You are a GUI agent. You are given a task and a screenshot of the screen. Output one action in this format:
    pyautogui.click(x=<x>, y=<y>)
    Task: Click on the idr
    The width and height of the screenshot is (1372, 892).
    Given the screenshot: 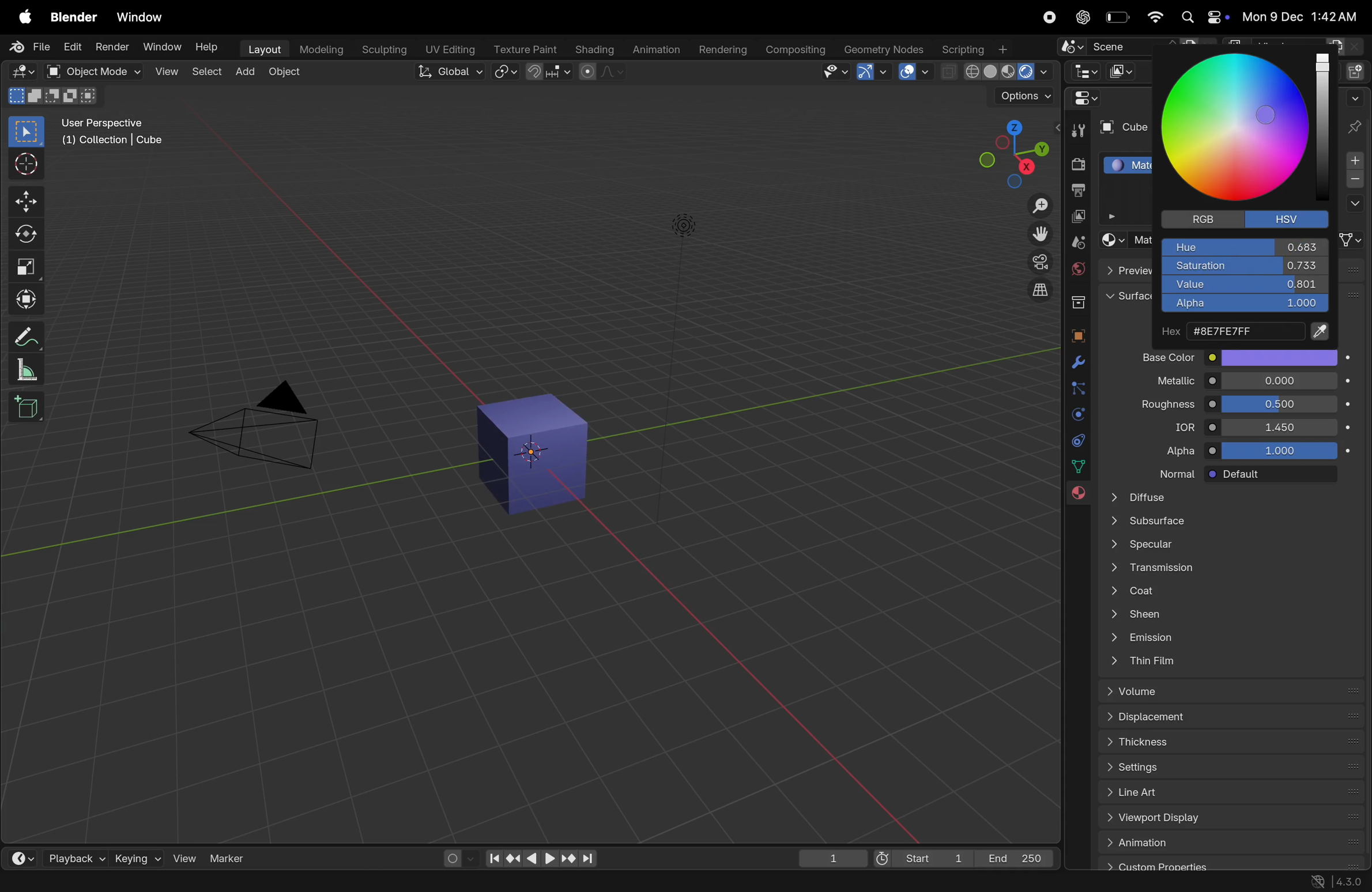 What is the action you would take?
    pyautogui.click(x=1174, y=429)
    